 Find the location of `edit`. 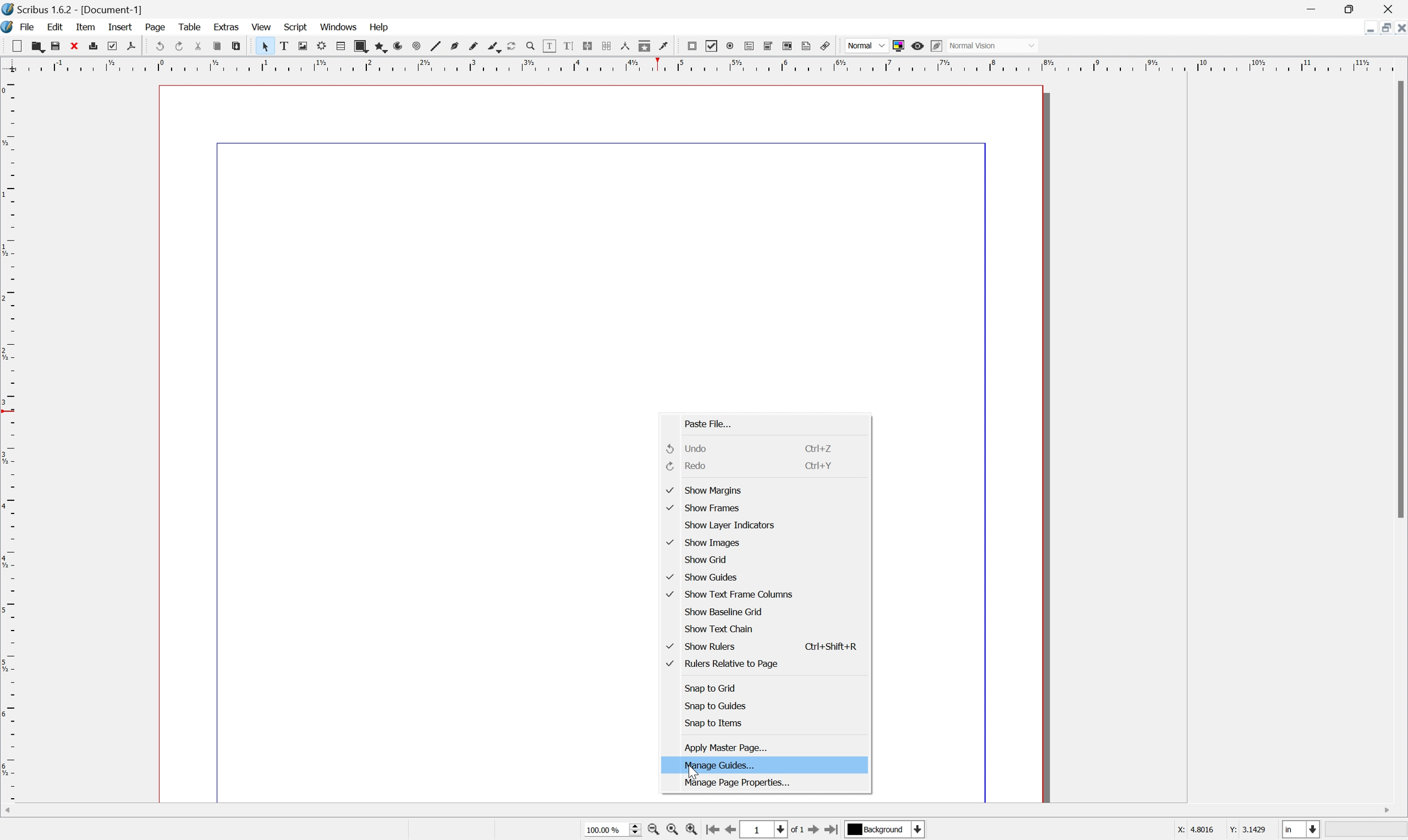

edit is located at coordinates (55, 27).